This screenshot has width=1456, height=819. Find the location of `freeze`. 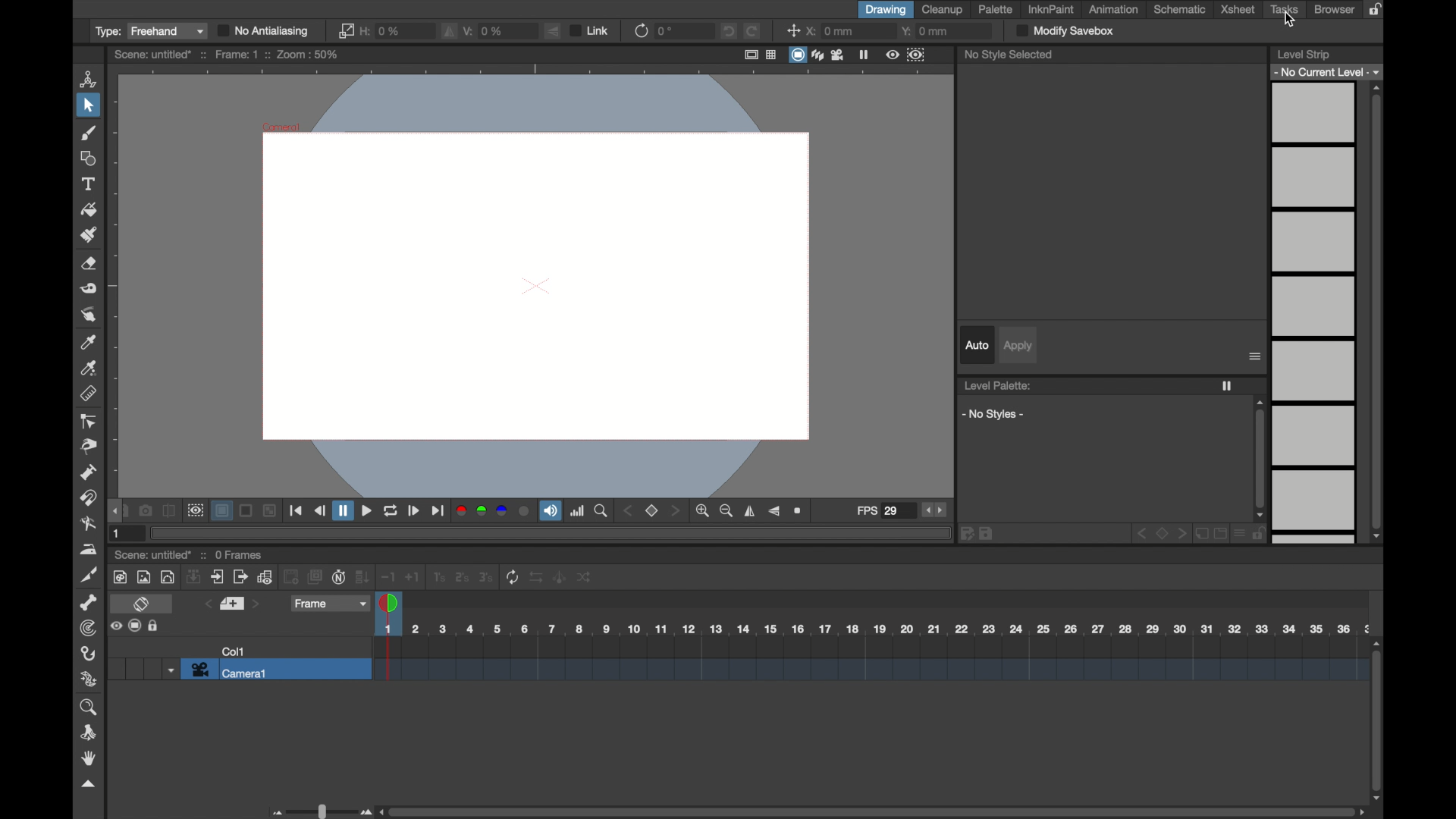

freeze is located at coordinates (1227, 386).